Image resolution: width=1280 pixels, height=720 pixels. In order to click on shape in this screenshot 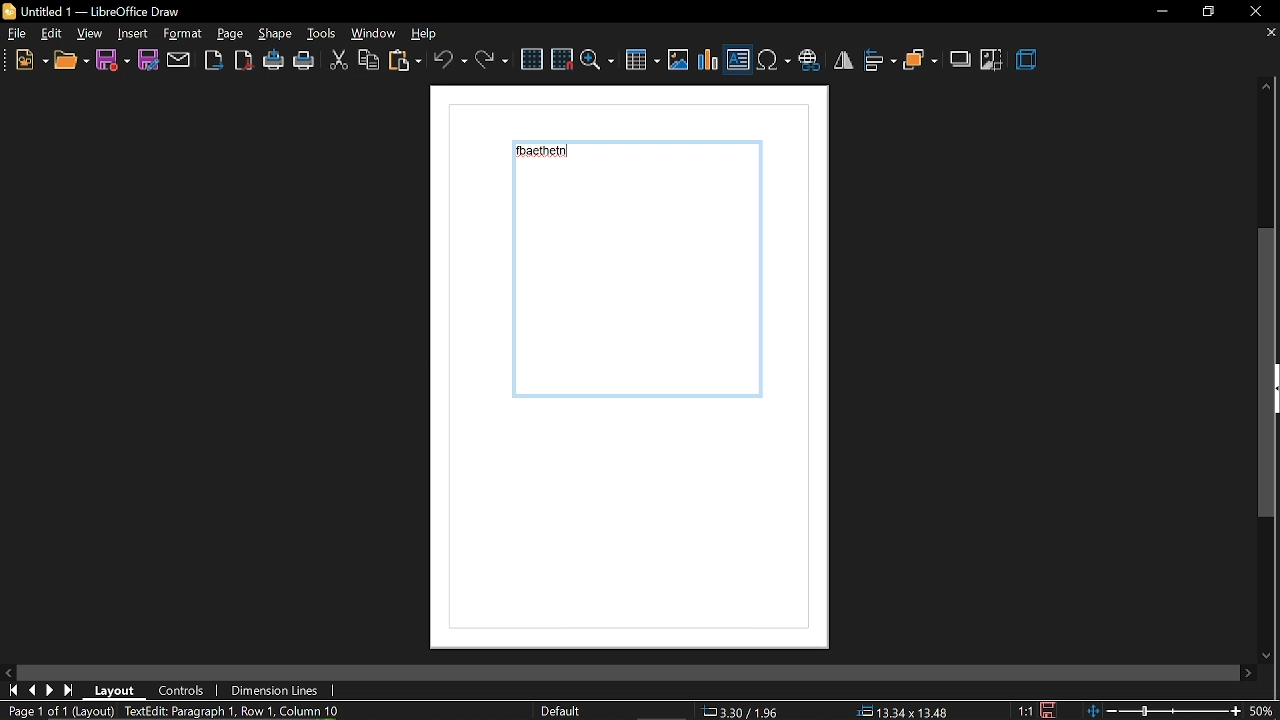, I will do `click(132, 34)`.